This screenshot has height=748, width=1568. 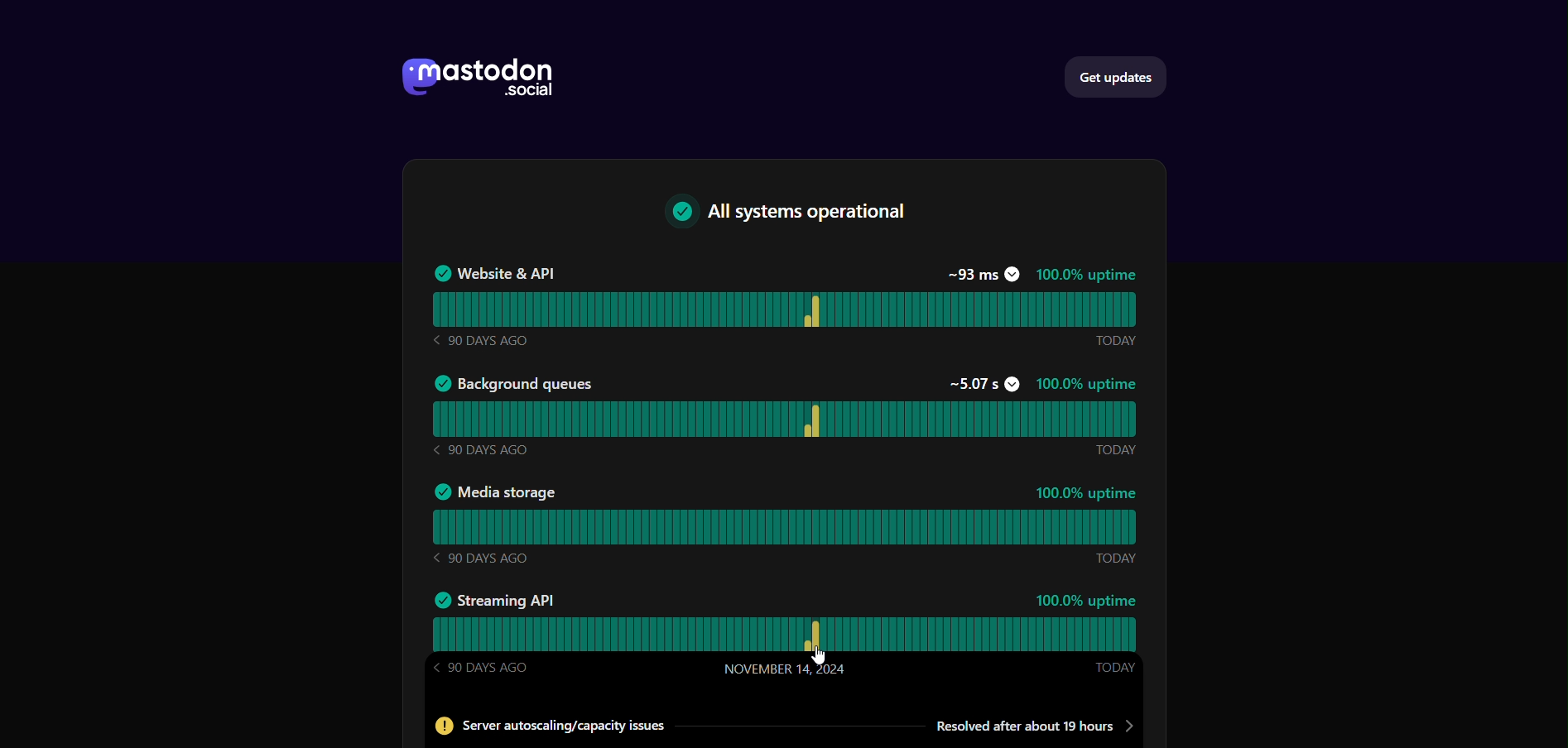 What do you see at coordinates (1114, 669) in the screenshot?
I see `Today` at bounding box center [1114, 669].